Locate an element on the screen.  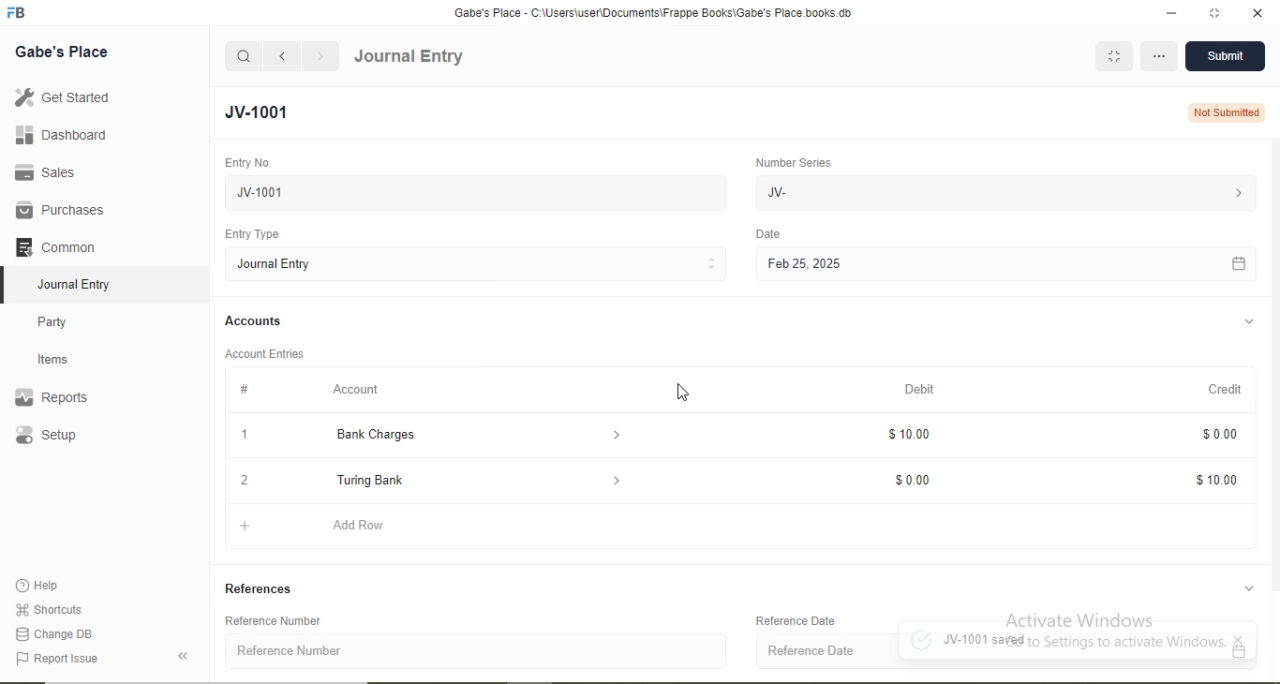
logo is located at coordinates (18, 13).